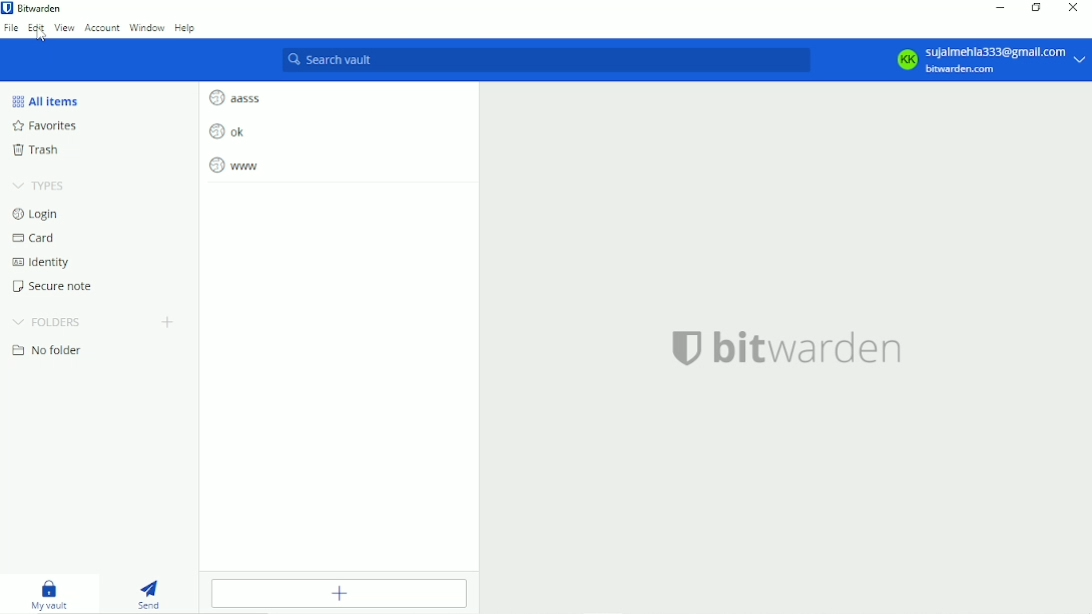  I want to click on bitwarden, so click(786, 346).